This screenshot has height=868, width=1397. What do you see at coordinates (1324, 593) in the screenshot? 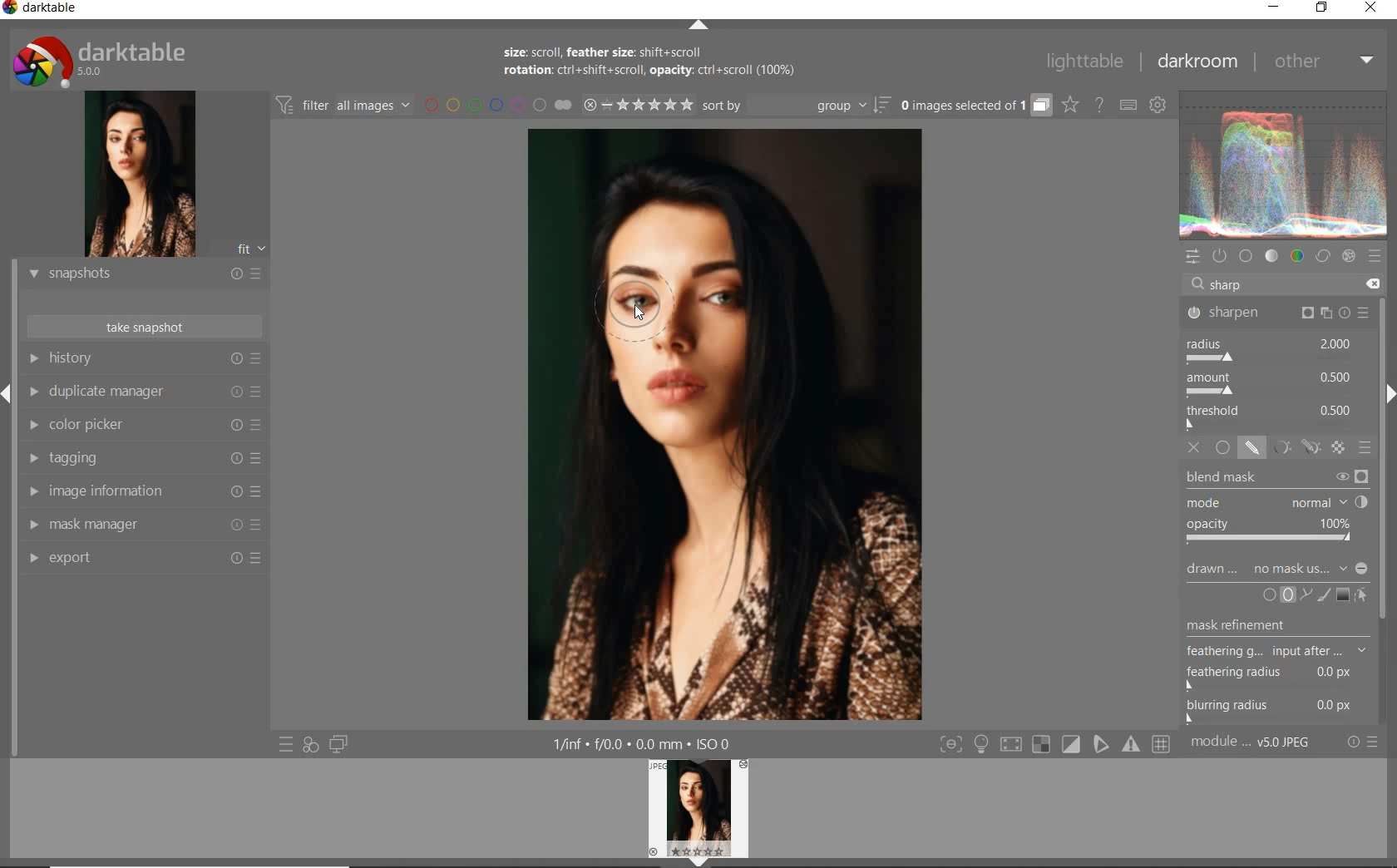
I see `add brush` at bounding box center [1324, 593].